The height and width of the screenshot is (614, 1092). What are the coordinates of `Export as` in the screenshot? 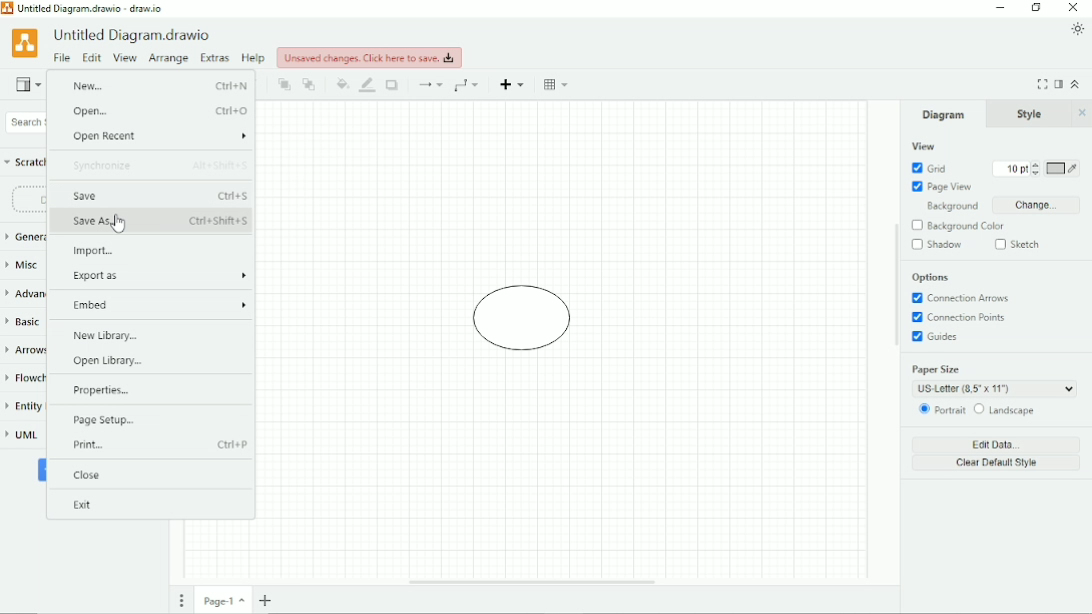 It's located at (158, 275).